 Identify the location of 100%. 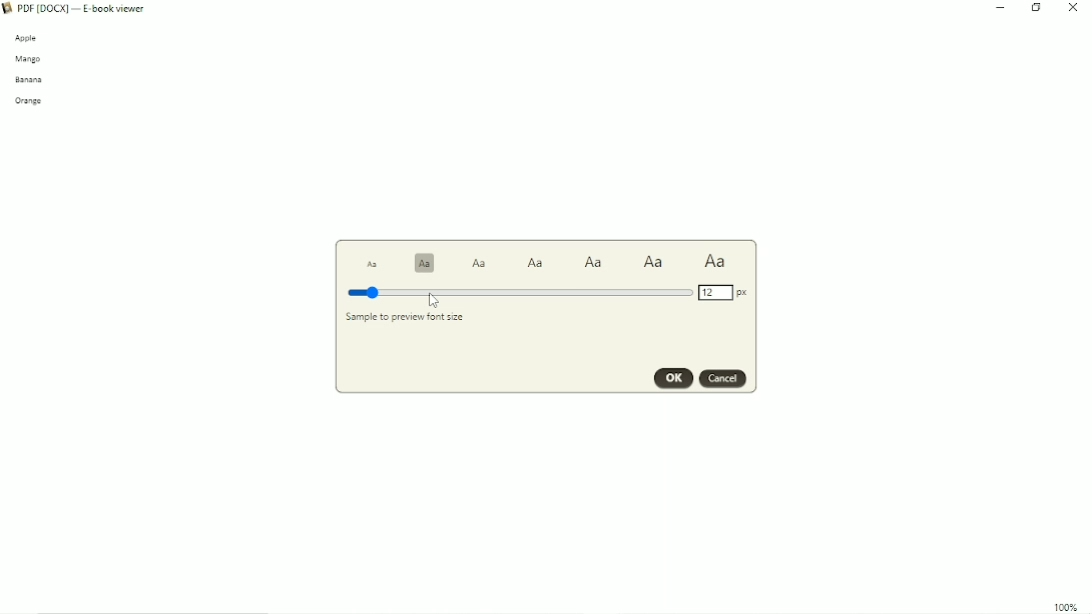
(1067, 606).